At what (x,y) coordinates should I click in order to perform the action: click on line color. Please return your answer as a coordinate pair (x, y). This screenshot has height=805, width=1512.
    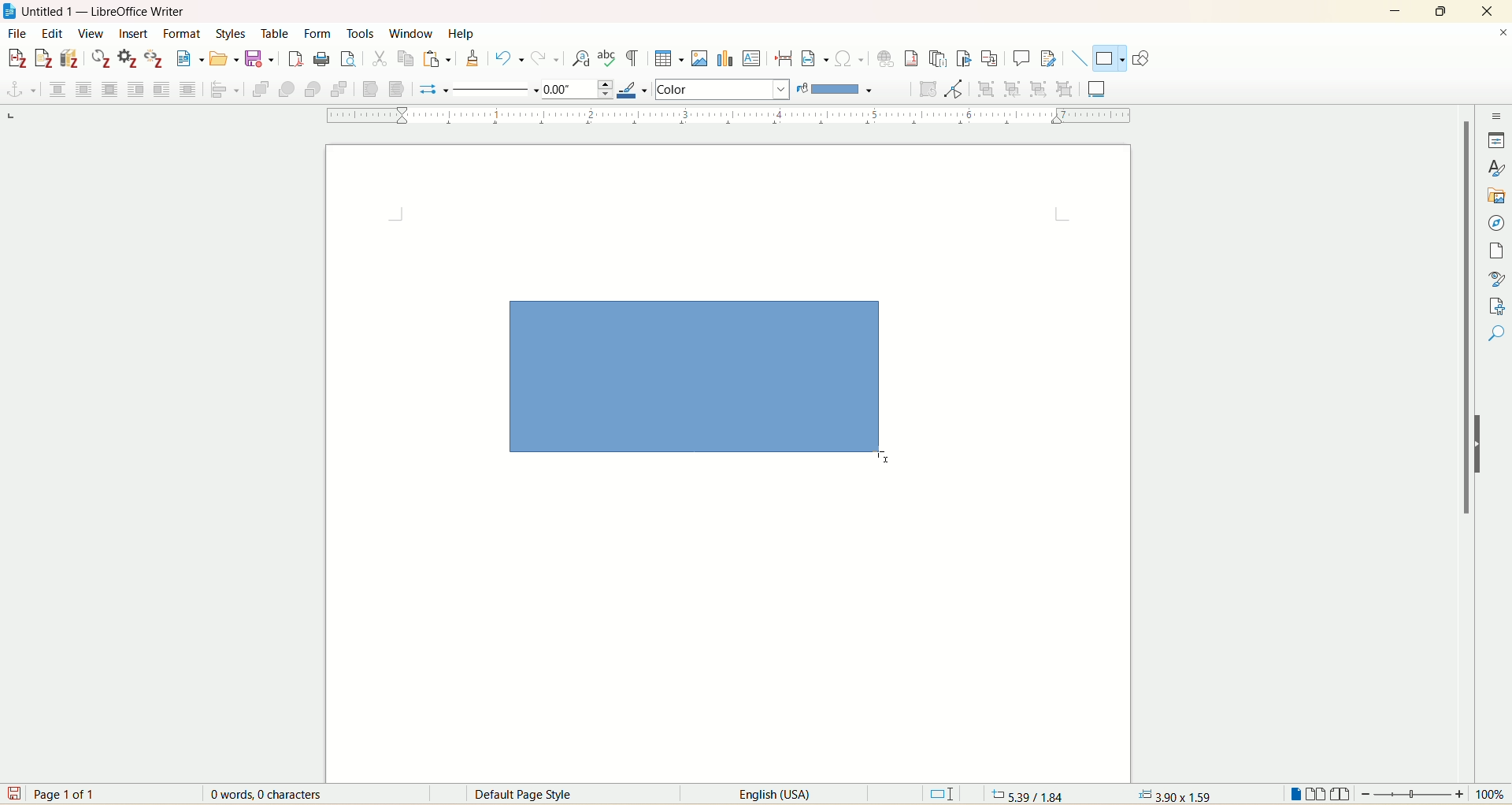
    Looking at the image, I should click on (636, 88).